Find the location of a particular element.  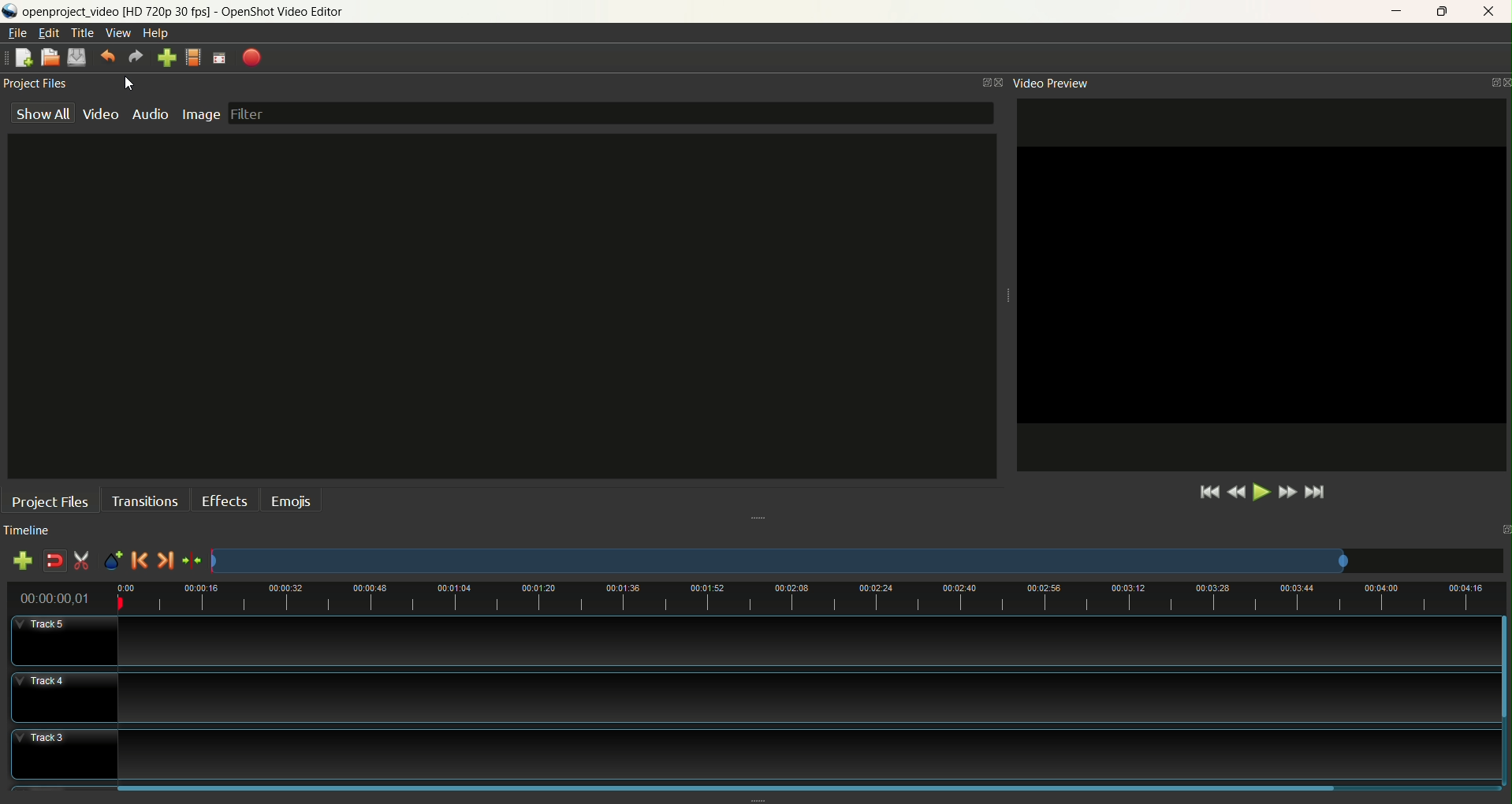

emojis is located at coordinates (296, 504).